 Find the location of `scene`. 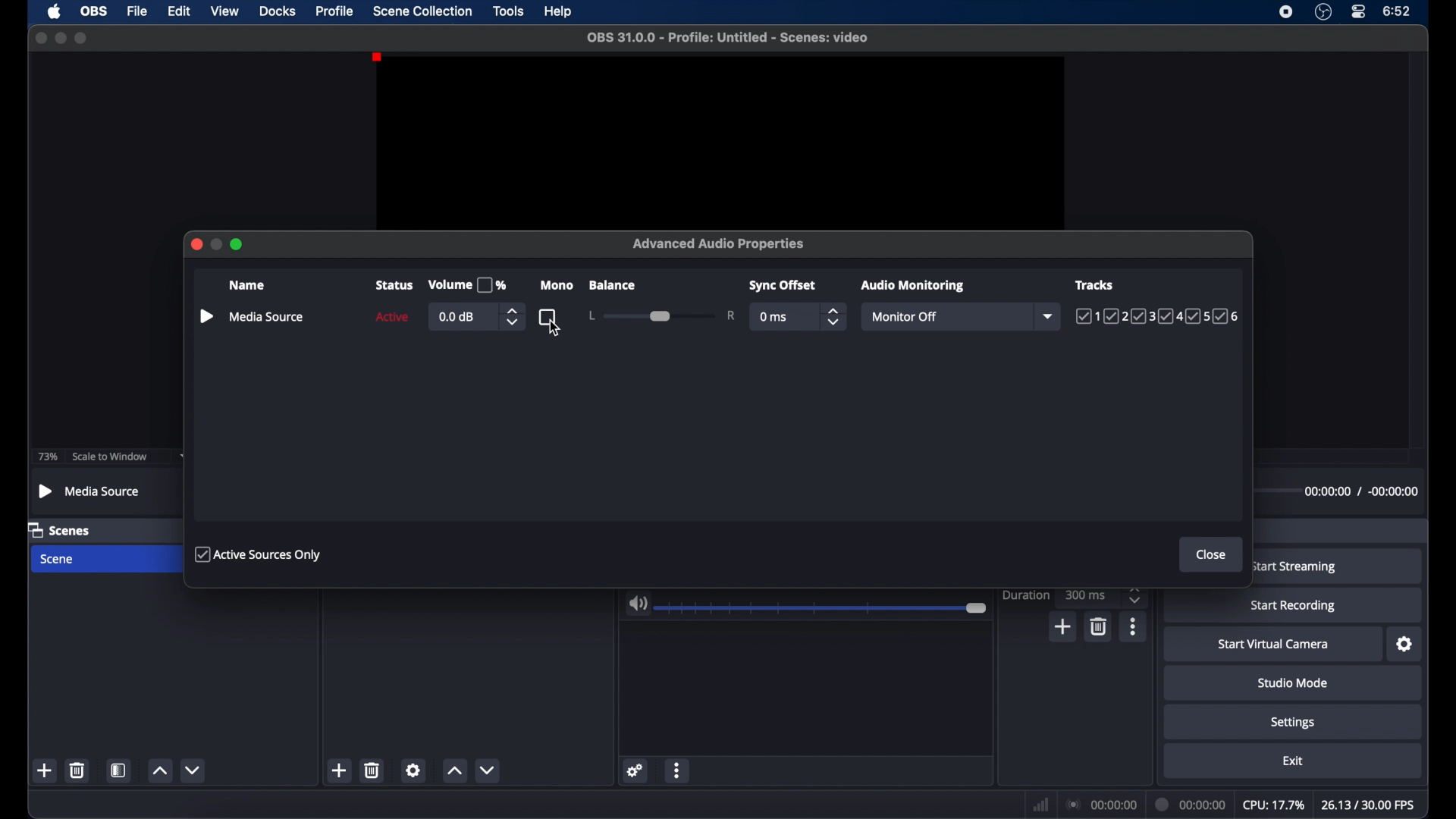

scene is located at coordinates (58, 559).